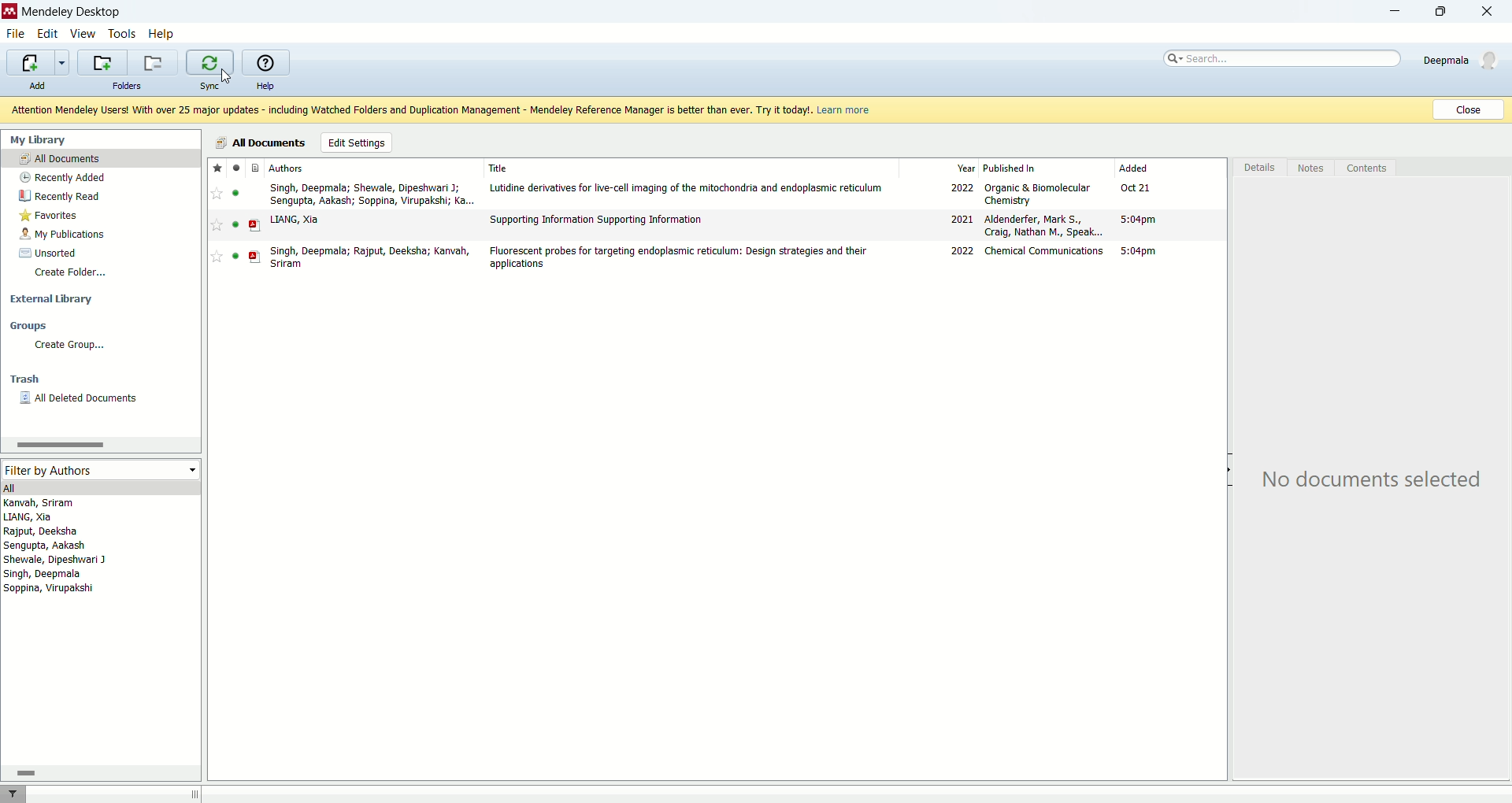 This screenshot has width=1512, height=803. I want to click on help, so click(269, 86).